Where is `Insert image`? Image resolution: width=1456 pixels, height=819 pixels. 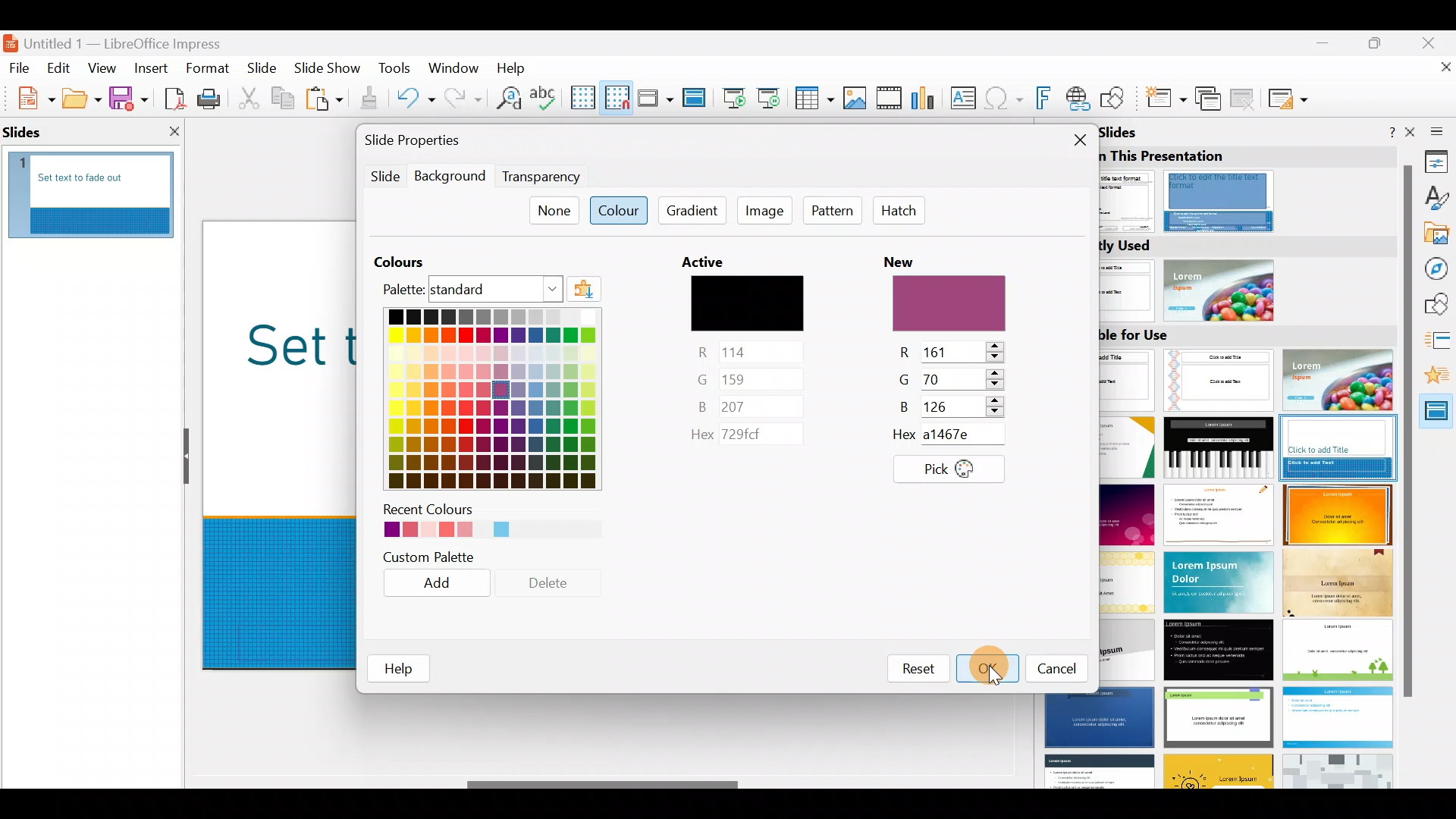 Insert image is located at coordinates (858, 99).